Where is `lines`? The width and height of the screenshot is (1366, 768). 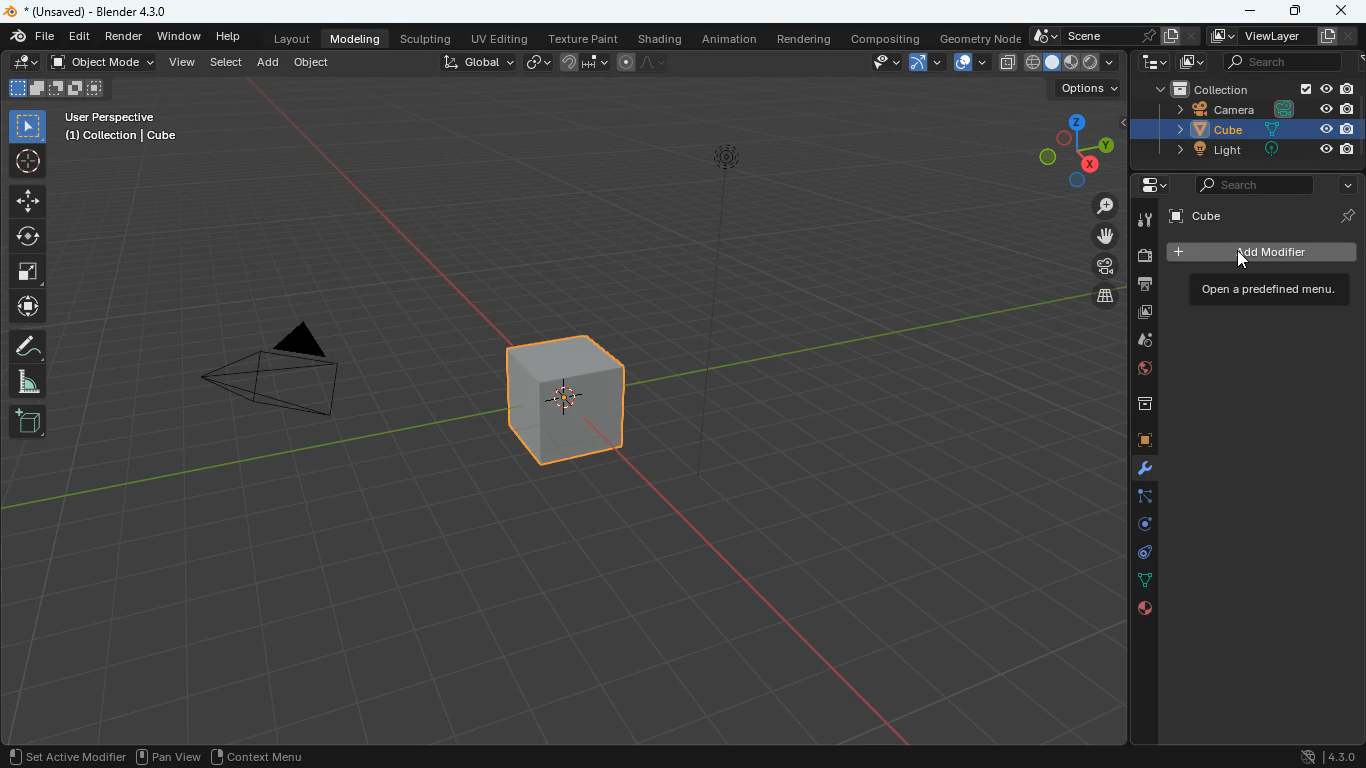
lines is located at coordinates (1135, 580).